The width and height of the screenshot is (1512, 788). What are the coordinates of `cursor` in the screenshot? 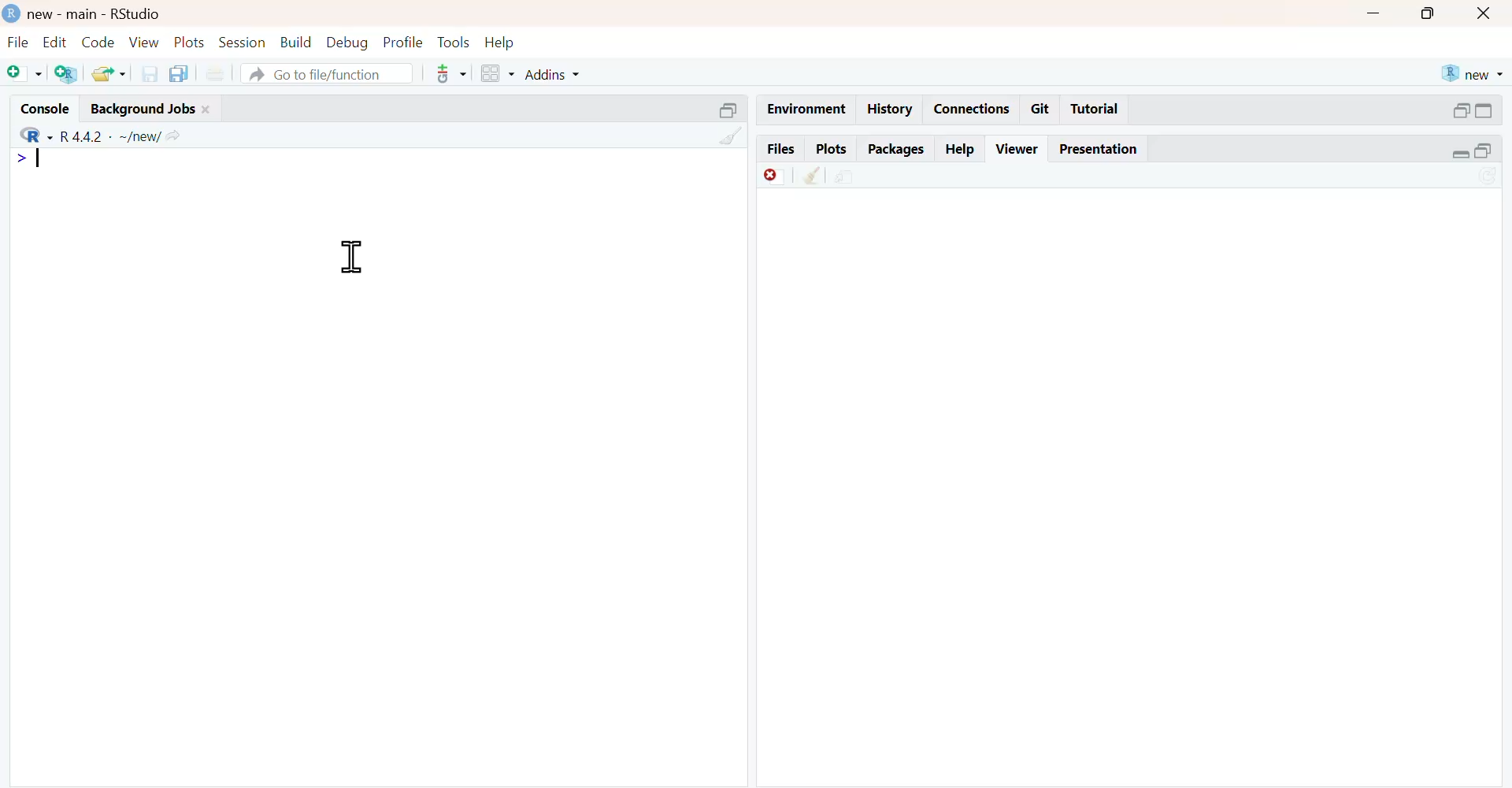 It's located at (354, 258).